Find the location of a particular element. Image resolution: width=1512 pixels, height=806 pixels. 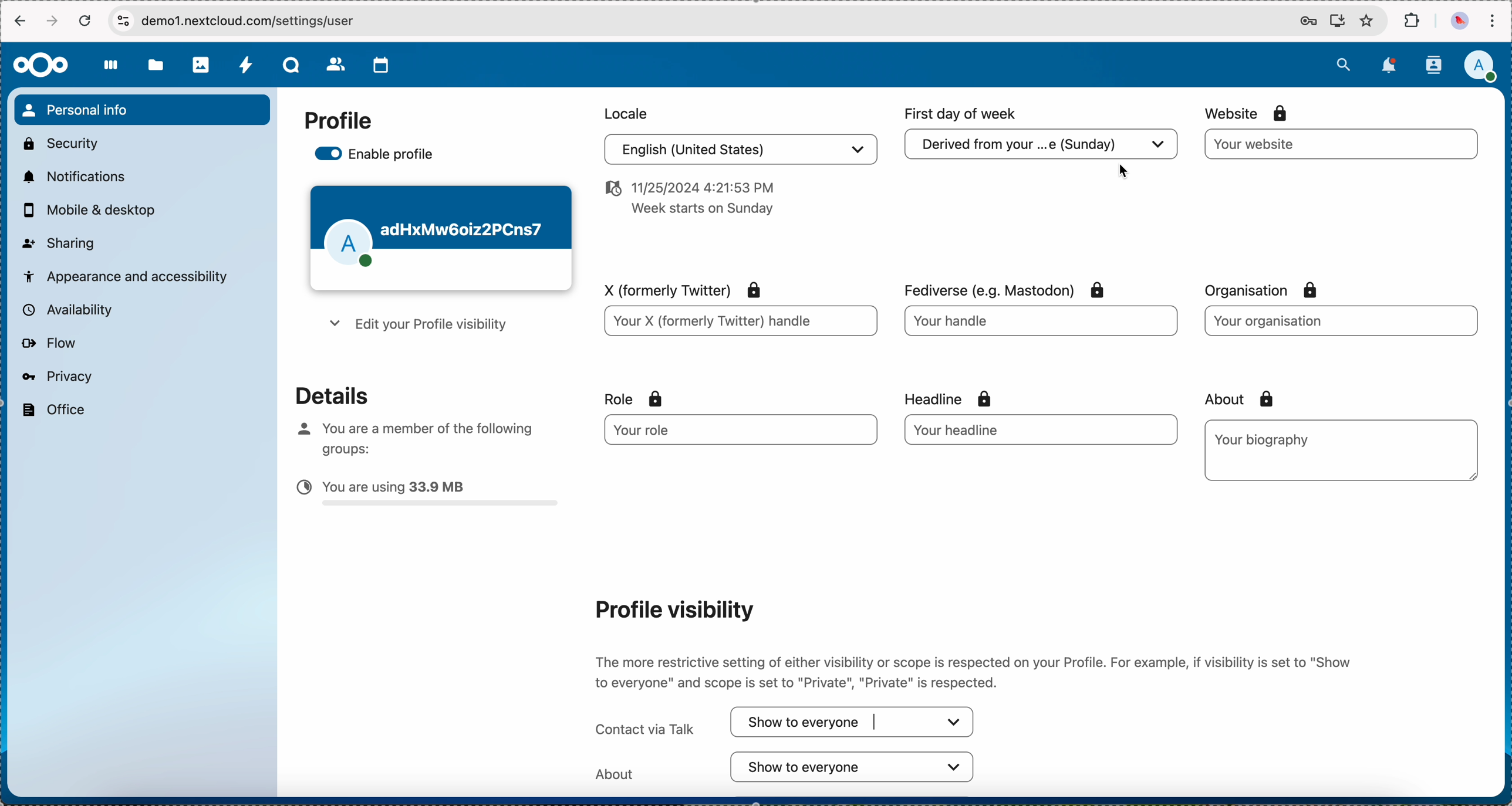

role is located at coordinates (634, 399).